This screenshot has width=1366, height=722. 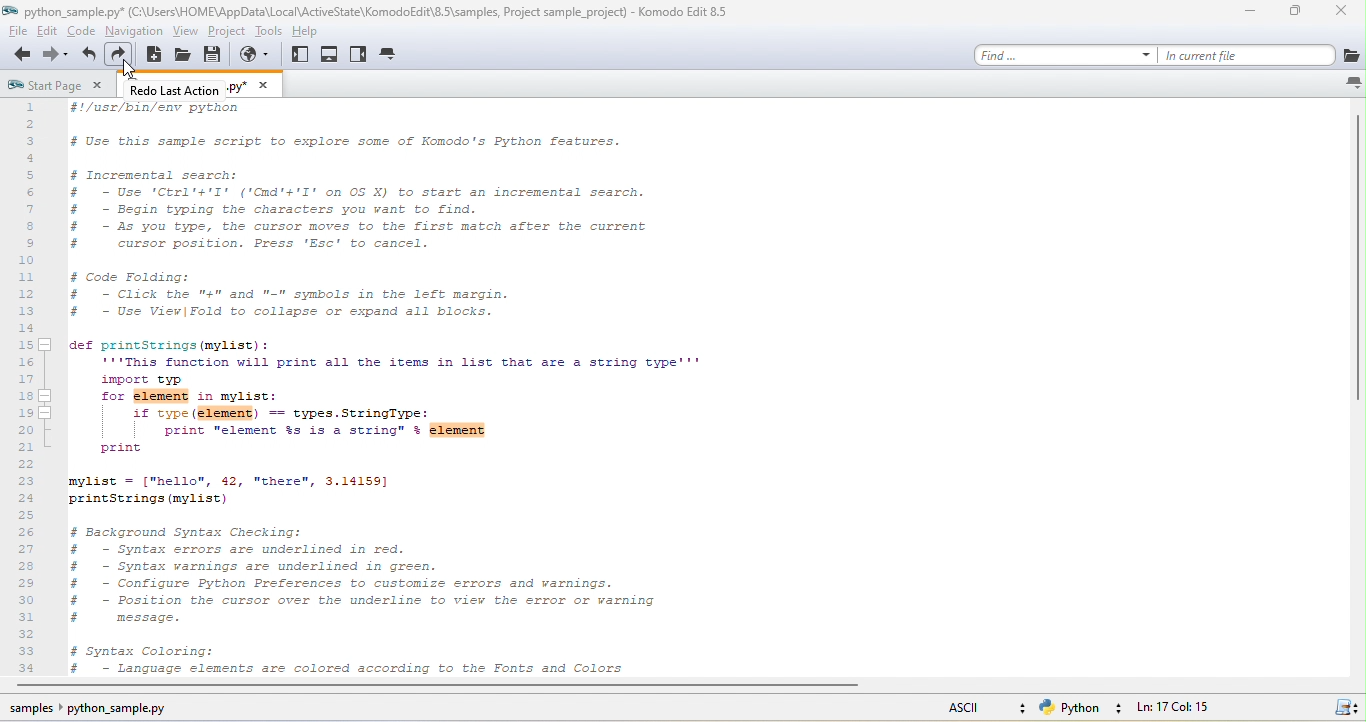 I want to click on python, so click(x=1084, y=707).